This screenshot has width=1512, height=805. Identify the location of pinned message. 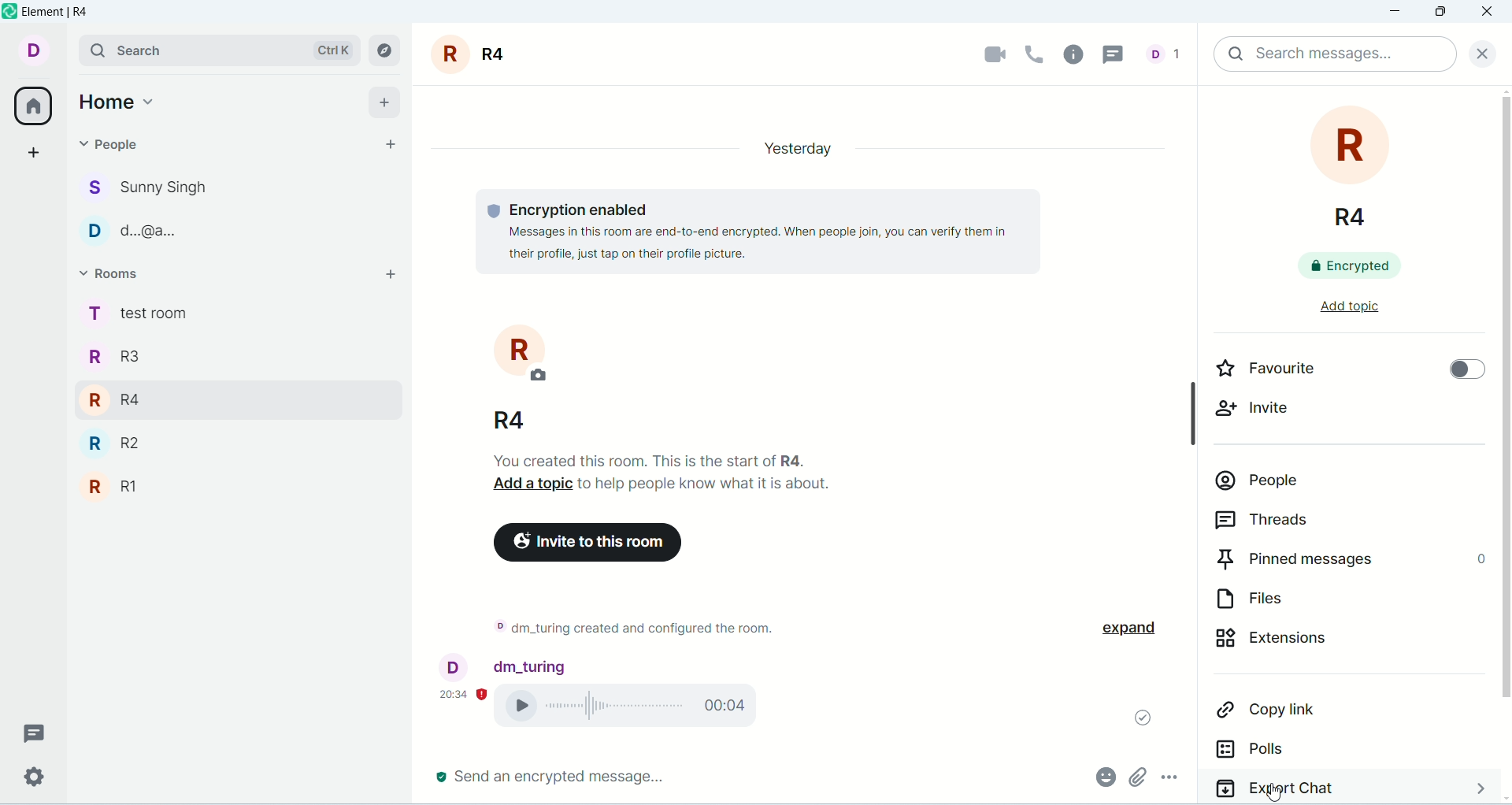
(1349, 558).